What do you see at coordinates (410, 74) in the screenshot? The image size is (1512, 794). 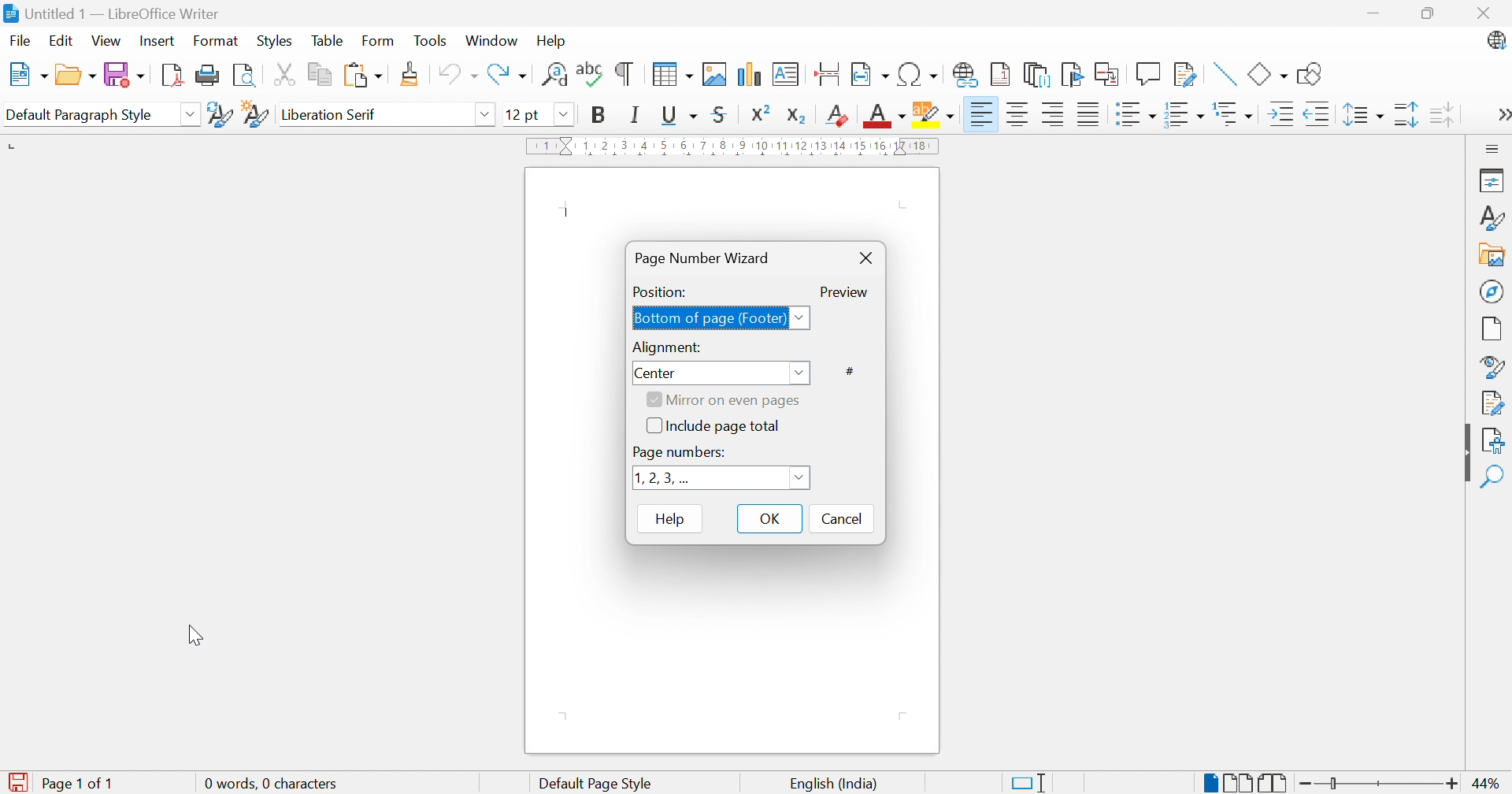 I see `Clone formatting` at bounding box center [410, 74].